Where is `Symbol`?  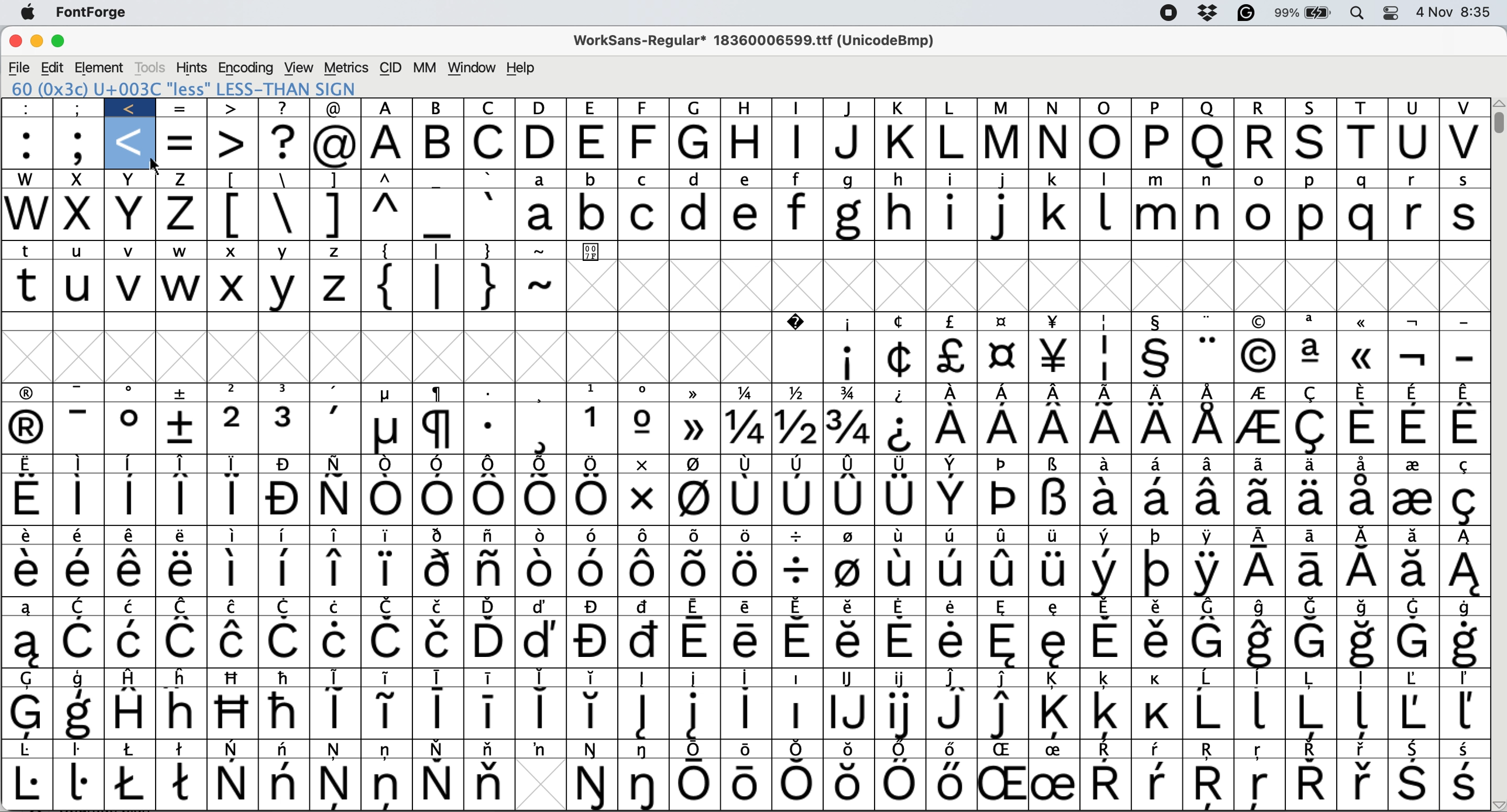
Symbol is located at coordinates (1055, 607).